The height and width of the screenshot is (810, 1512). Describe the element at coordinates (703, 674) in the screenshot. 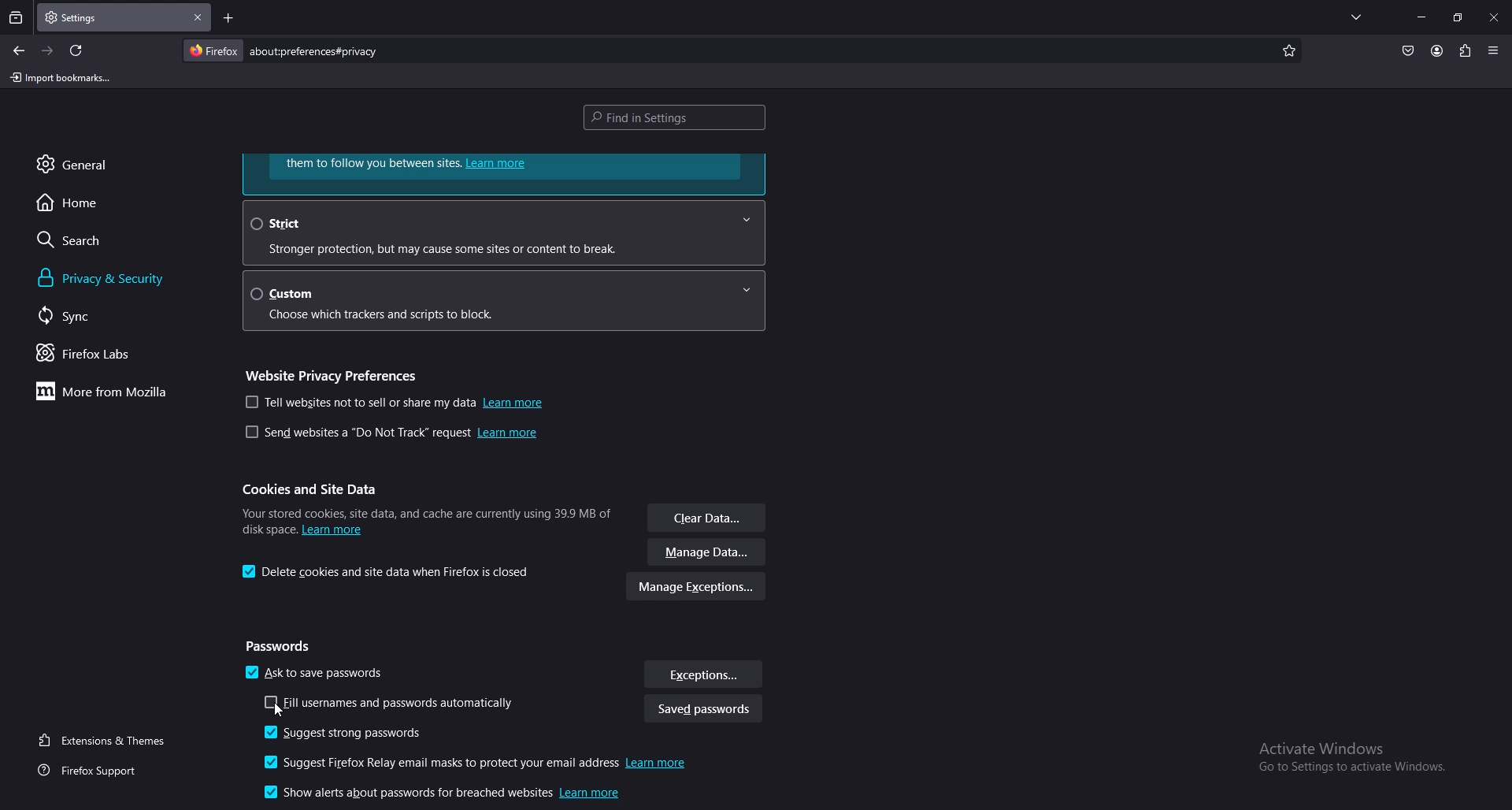

I see `exceptions` at that location.